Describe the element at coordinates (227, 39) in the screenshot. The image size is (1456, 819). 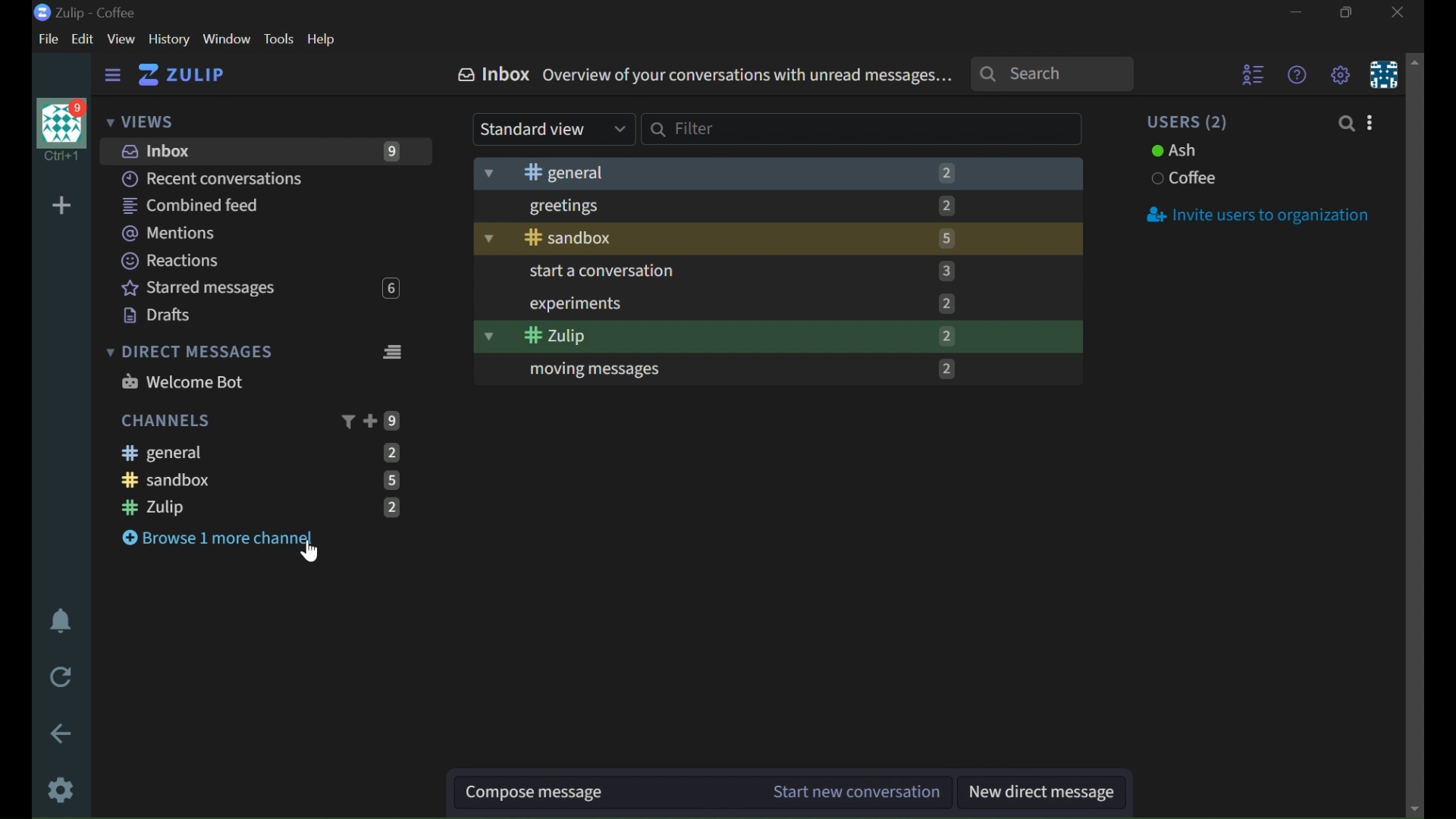
I see `WINDOW` at that location.